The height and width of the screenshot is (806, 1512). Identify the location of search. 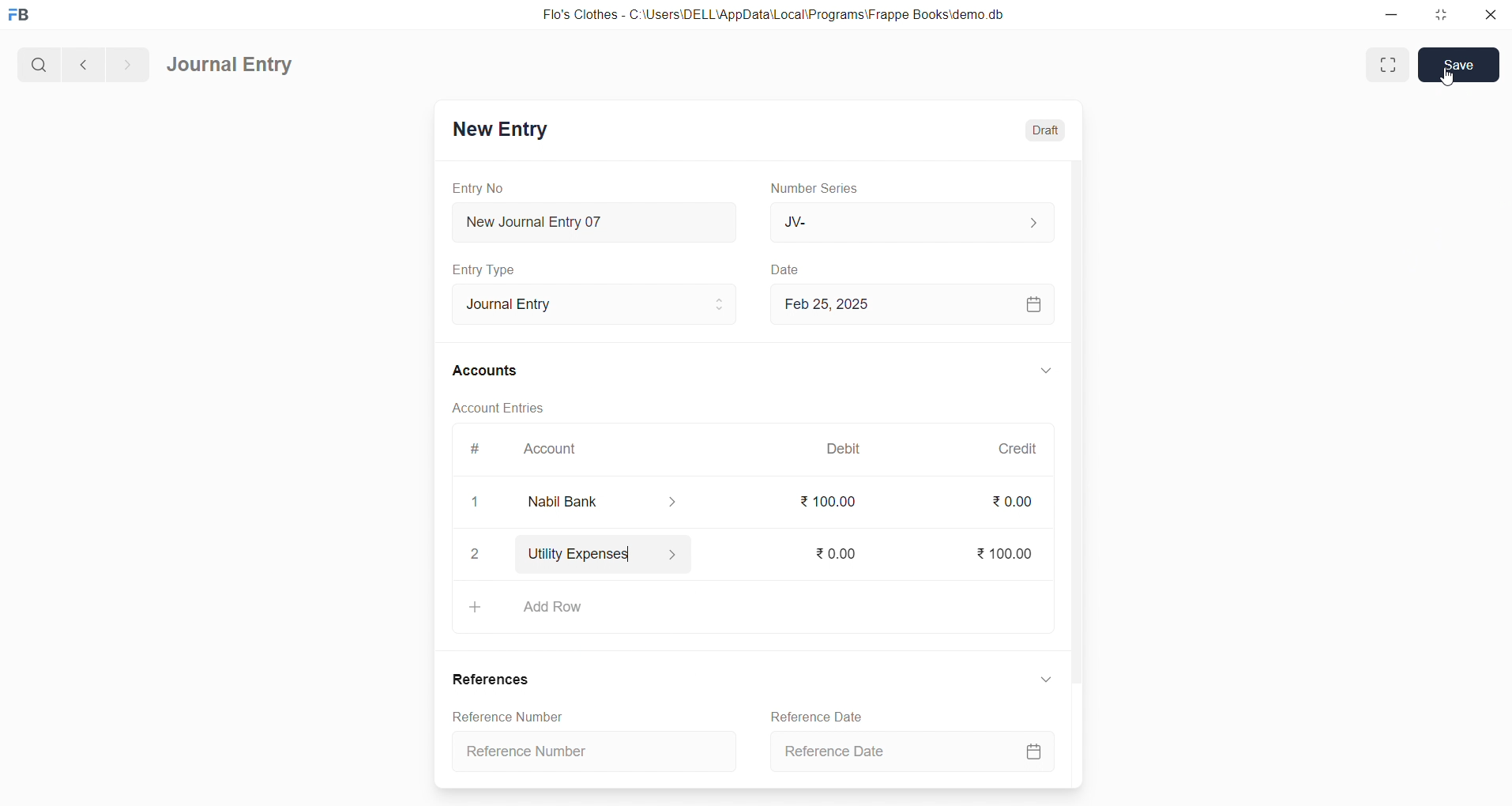
(37, 62).